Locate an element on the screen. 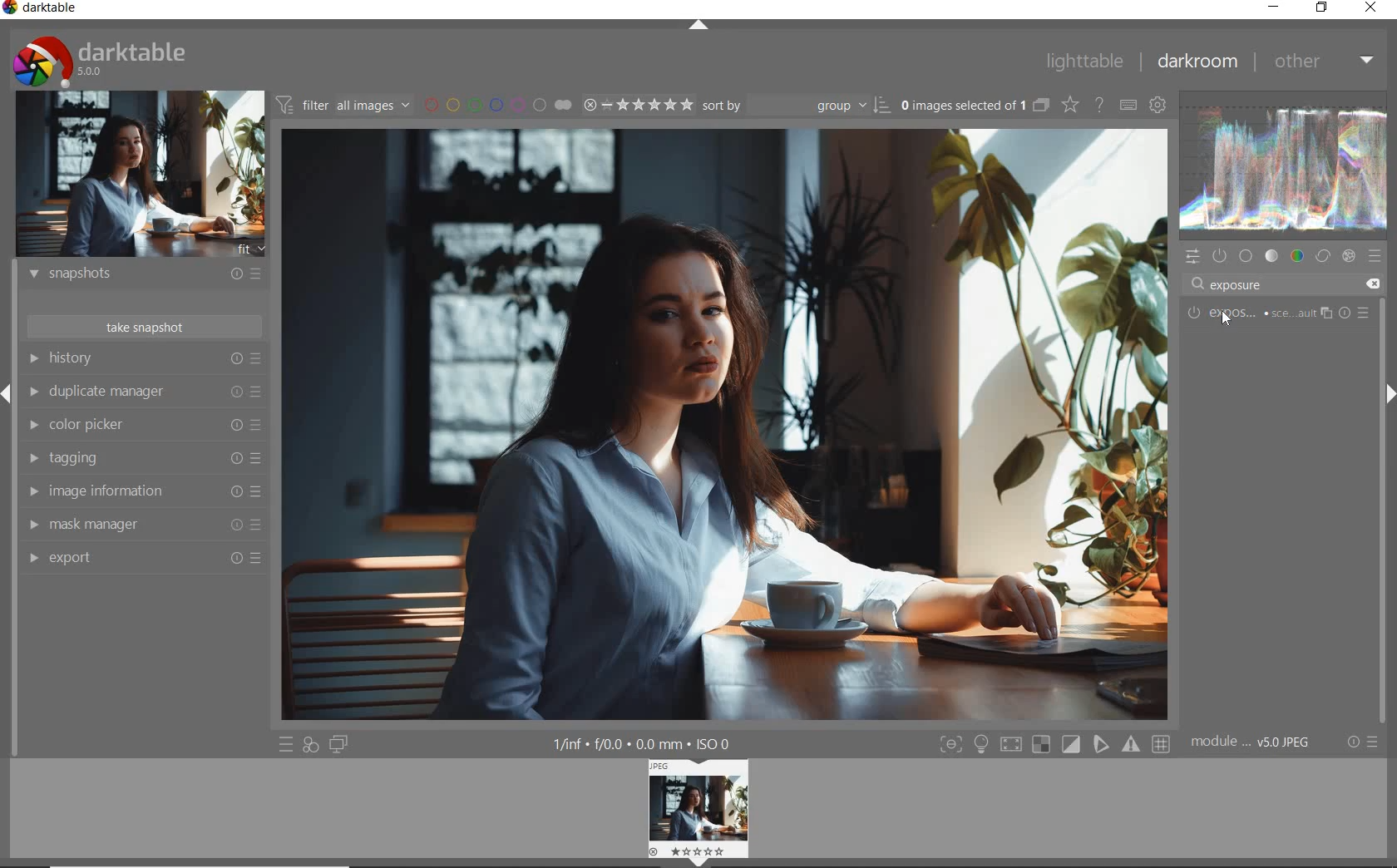 The width and height of the screenshot is (1397, 868). quick access to presets is located at coordinates (287, 743).